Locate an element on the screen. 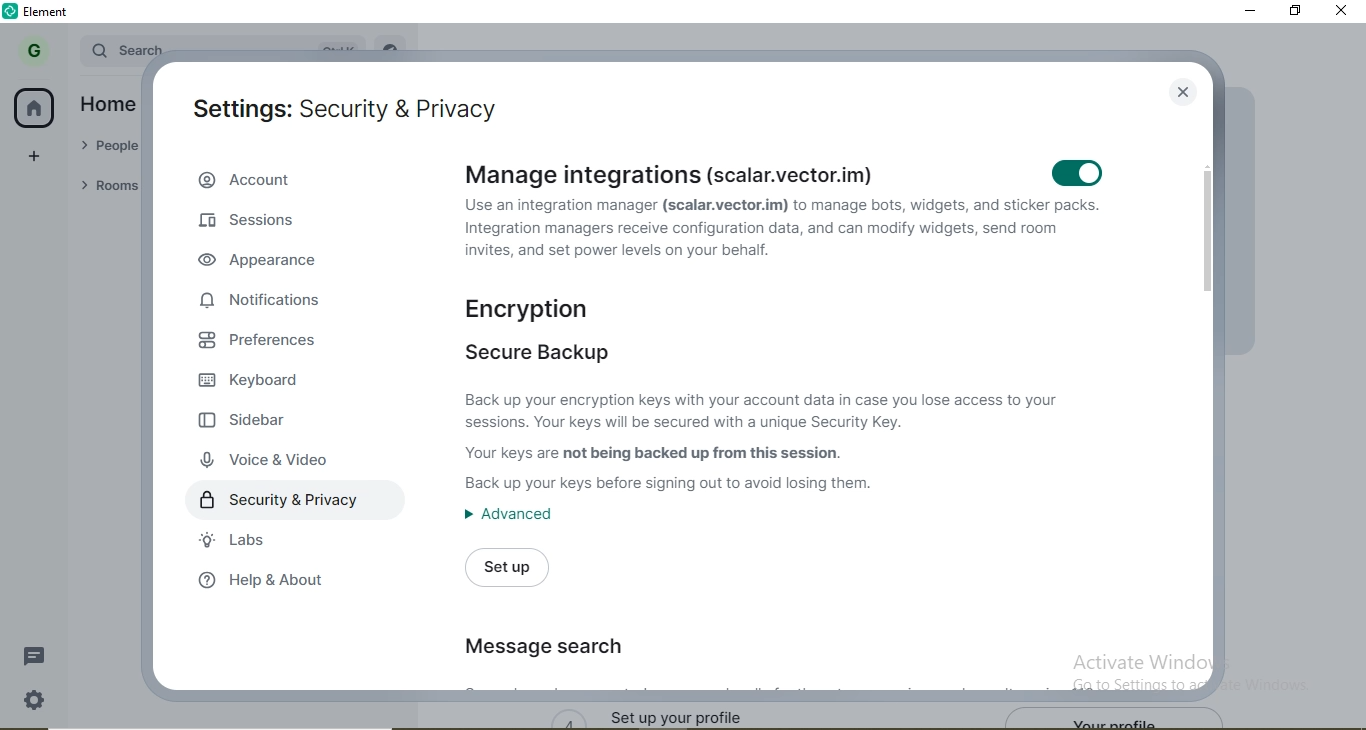 The height and width of the screenshot is (730, 1366). close is located at coordinates (1343, 12).